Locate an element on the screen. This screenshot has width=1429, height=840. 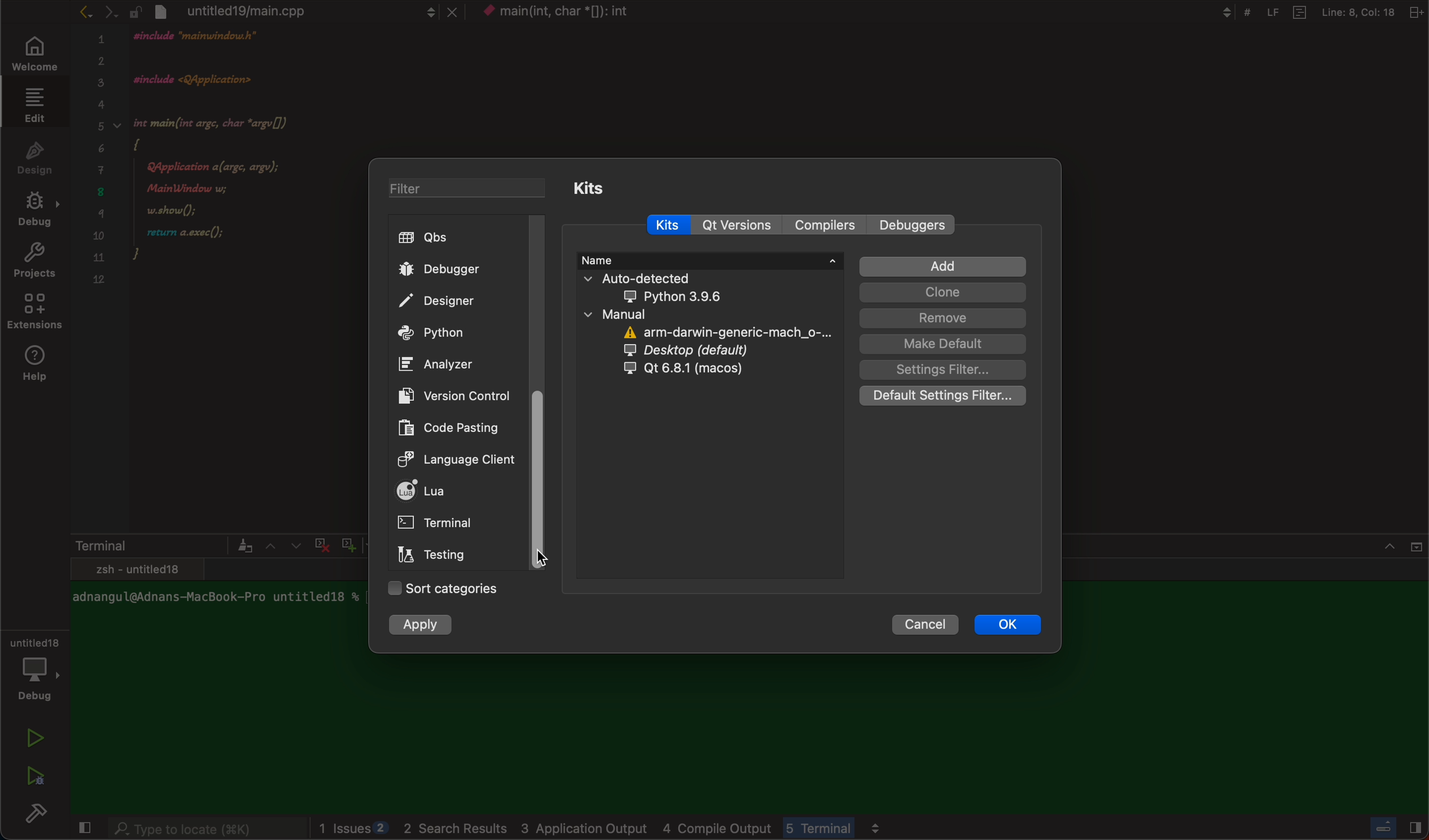
help is located at coordinates (39, 364).